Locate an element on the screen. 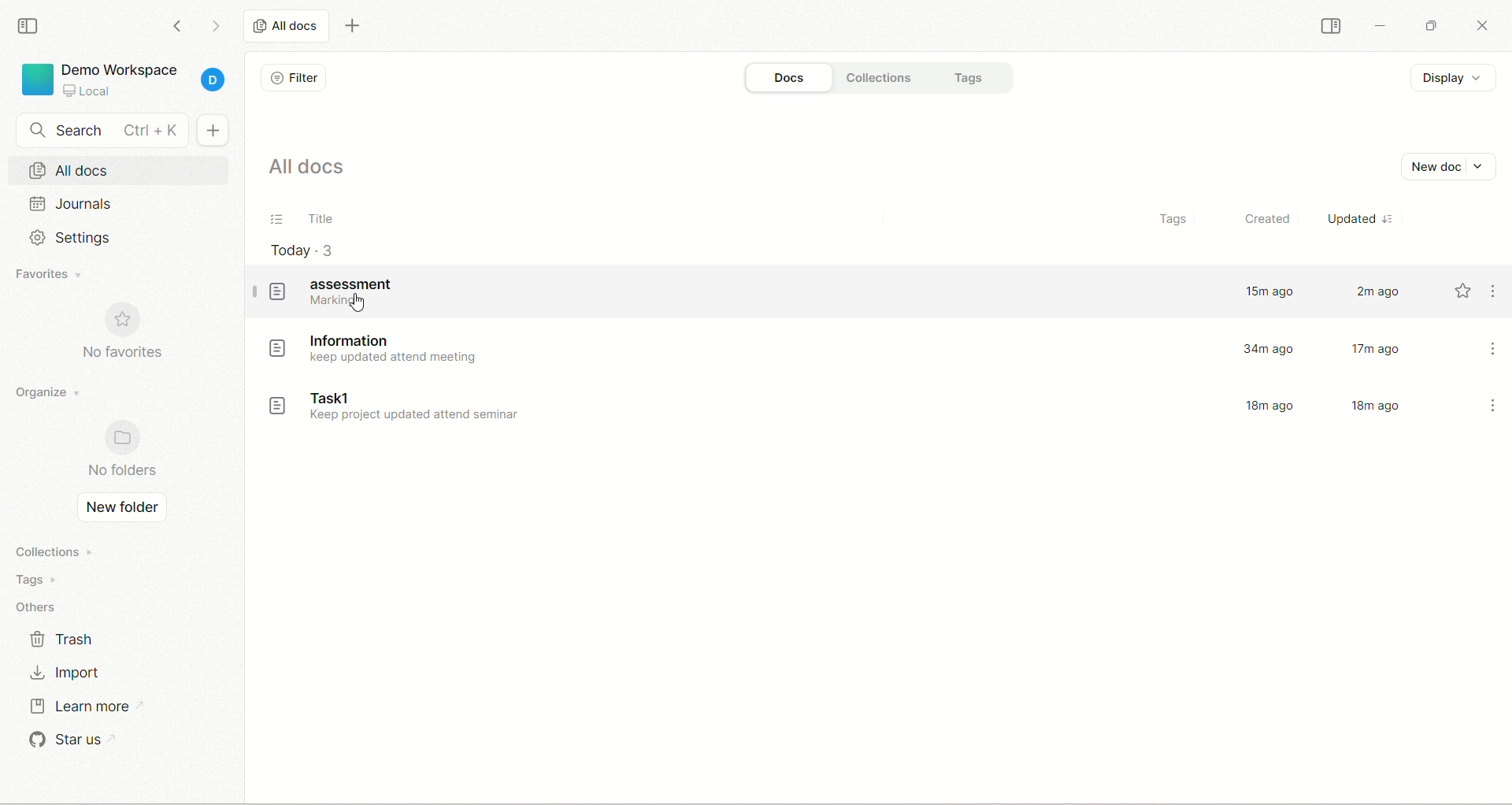 This screenshot has width=1512, height=805. updated is located at coordinates (1367, 218).